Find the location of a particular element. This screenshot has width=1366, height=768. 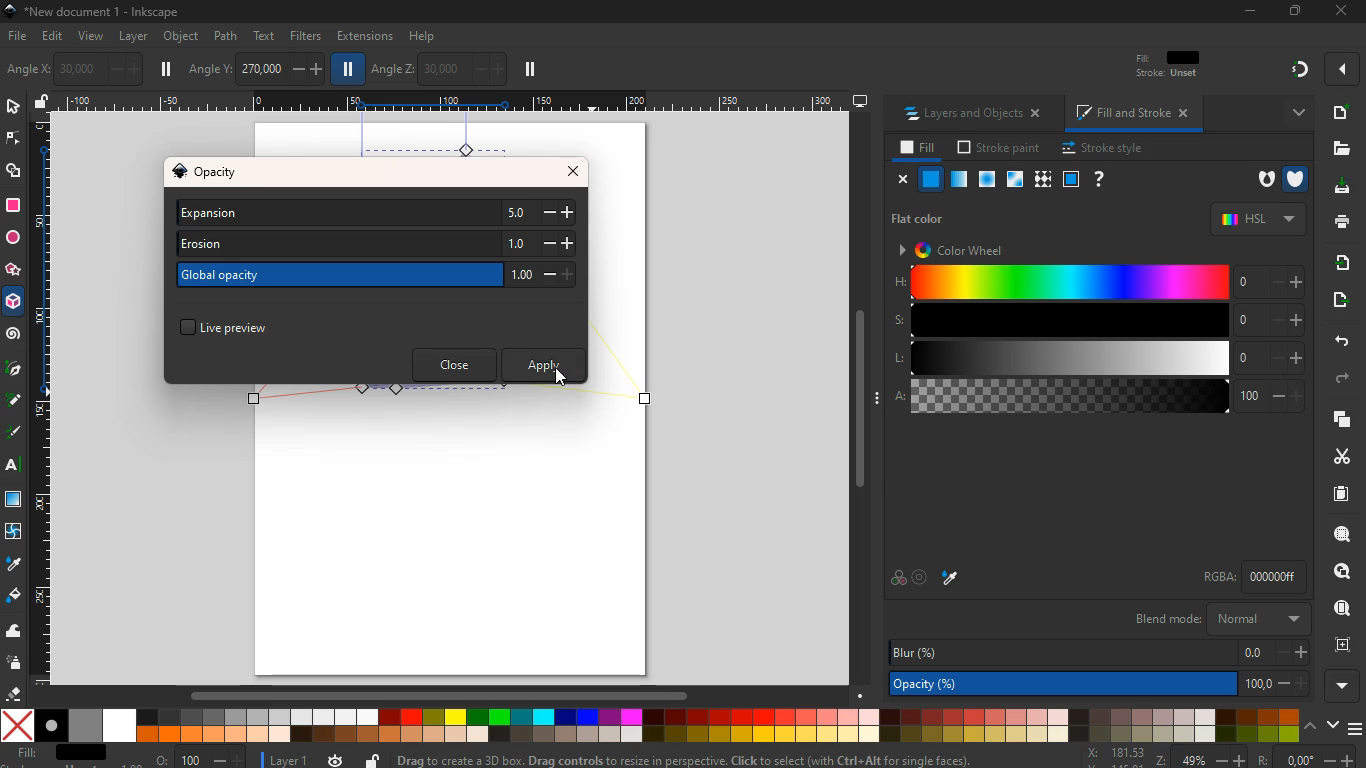

fill and stroke is located at coordinates (1135, 115).